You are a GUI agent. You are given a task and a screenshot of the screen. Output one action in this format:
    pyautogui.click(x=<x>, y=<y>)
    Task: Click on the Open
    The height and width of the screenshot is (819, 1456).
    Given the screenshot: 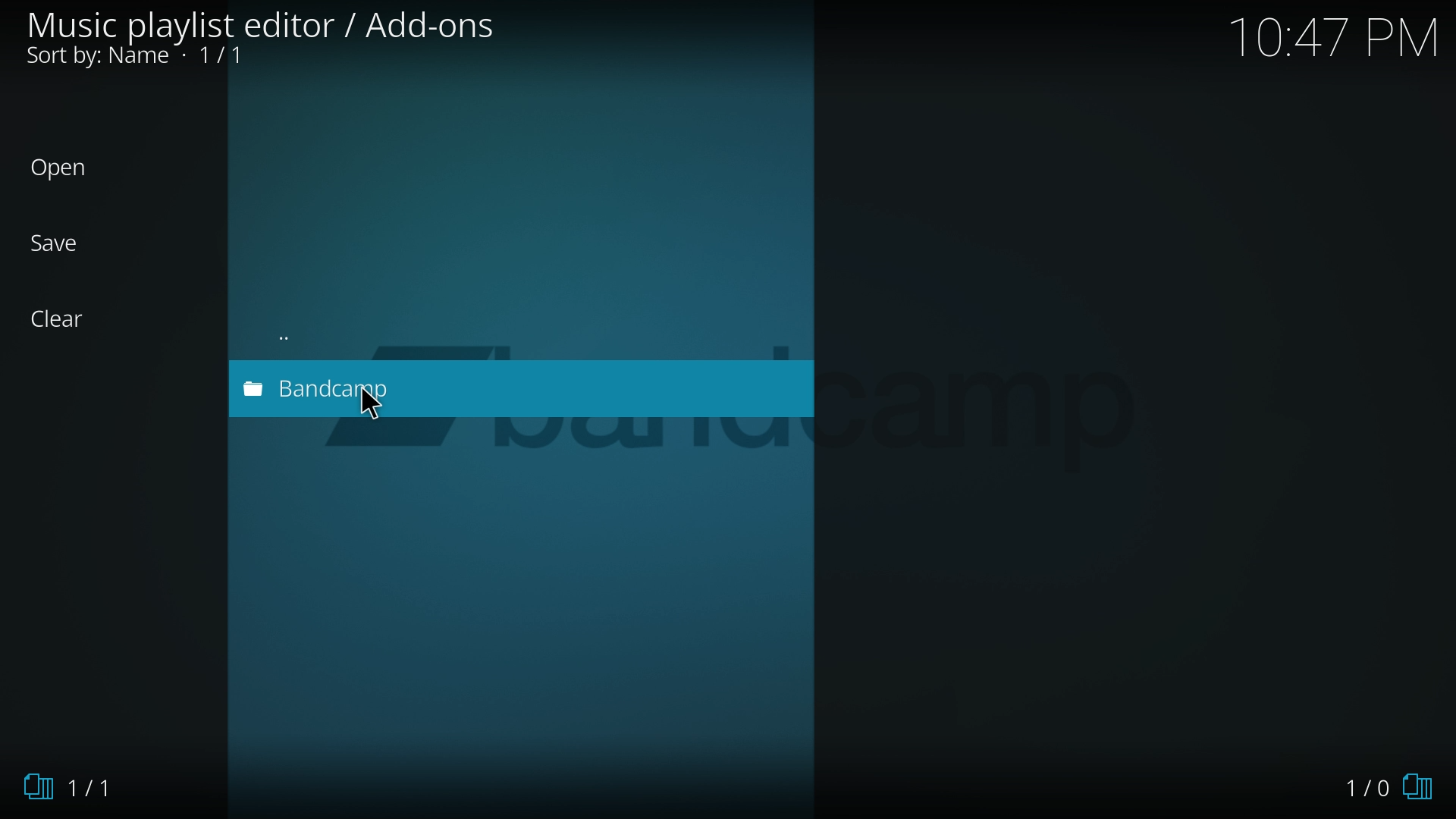 What is the action you would take?
    pyautogui.click(x=71, y=169)
    